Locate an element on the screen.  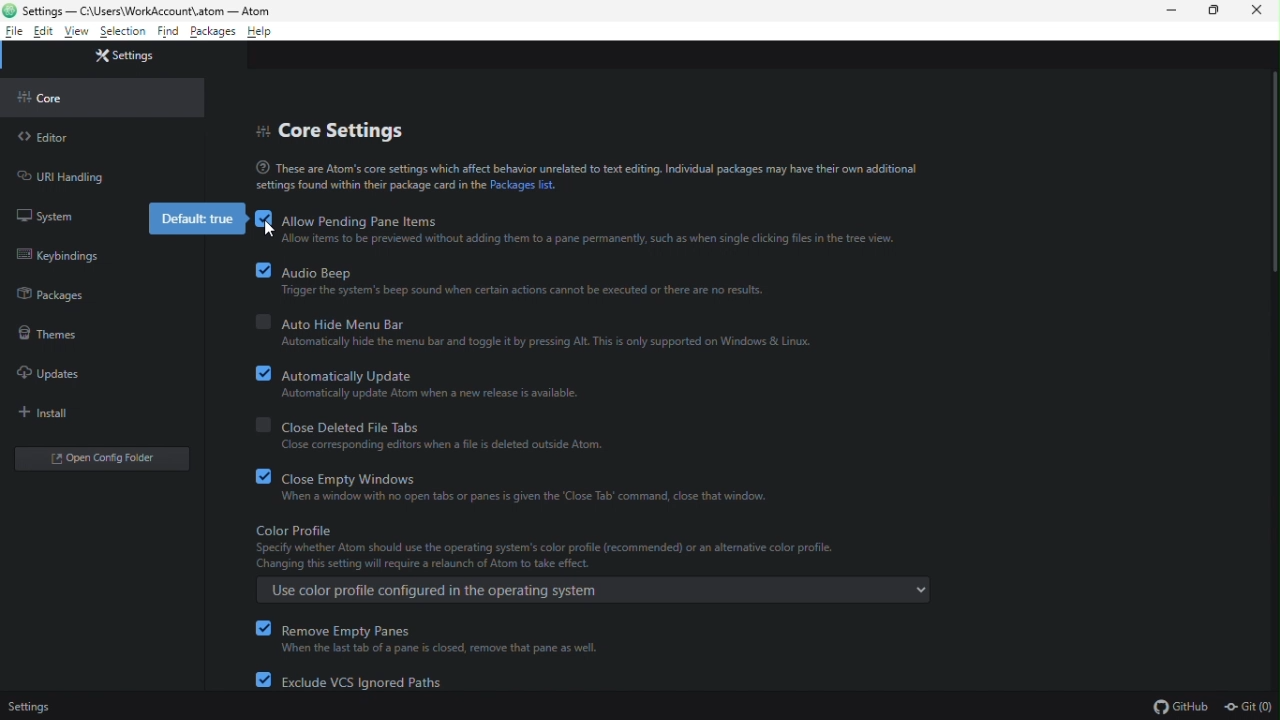
themes is located at coordinates (49, 332).